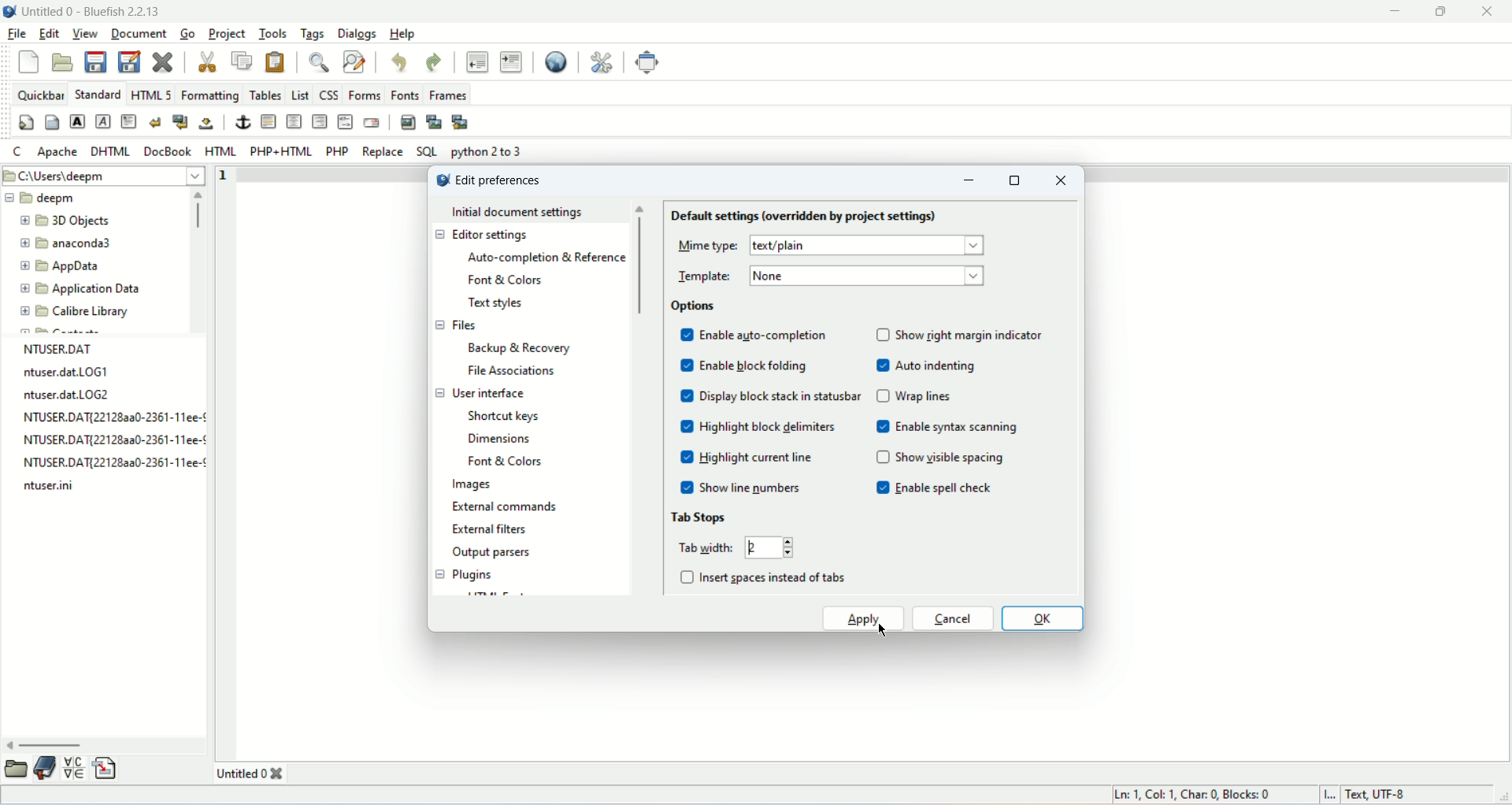  Describe the element at coordinates (554, 60) in the screenshot. I see `preview in browser` at that location.